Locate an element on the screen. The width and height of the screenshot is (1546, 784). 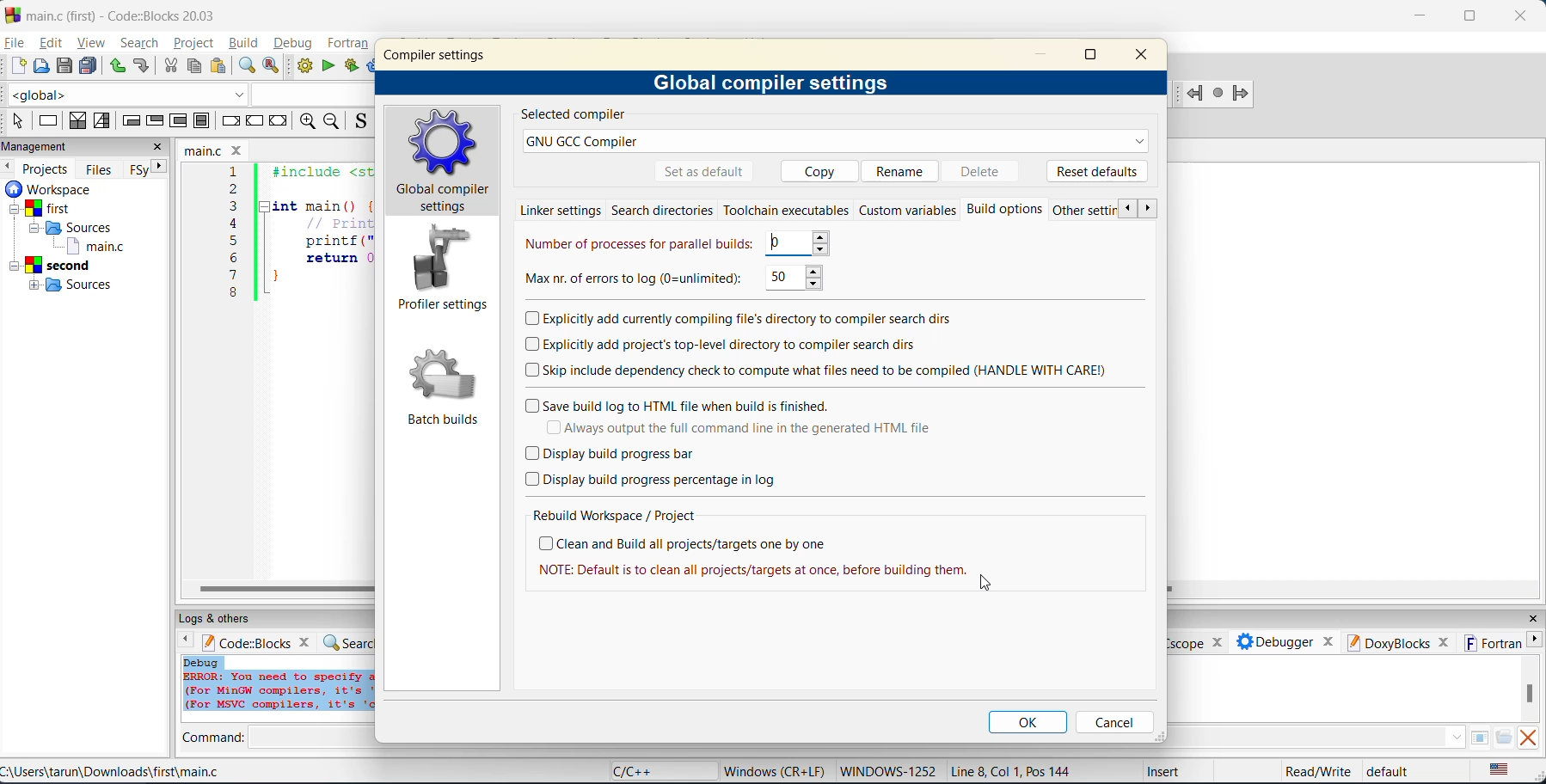
always output the full command line in the generated HTML file is located at coordinates (759, 426).